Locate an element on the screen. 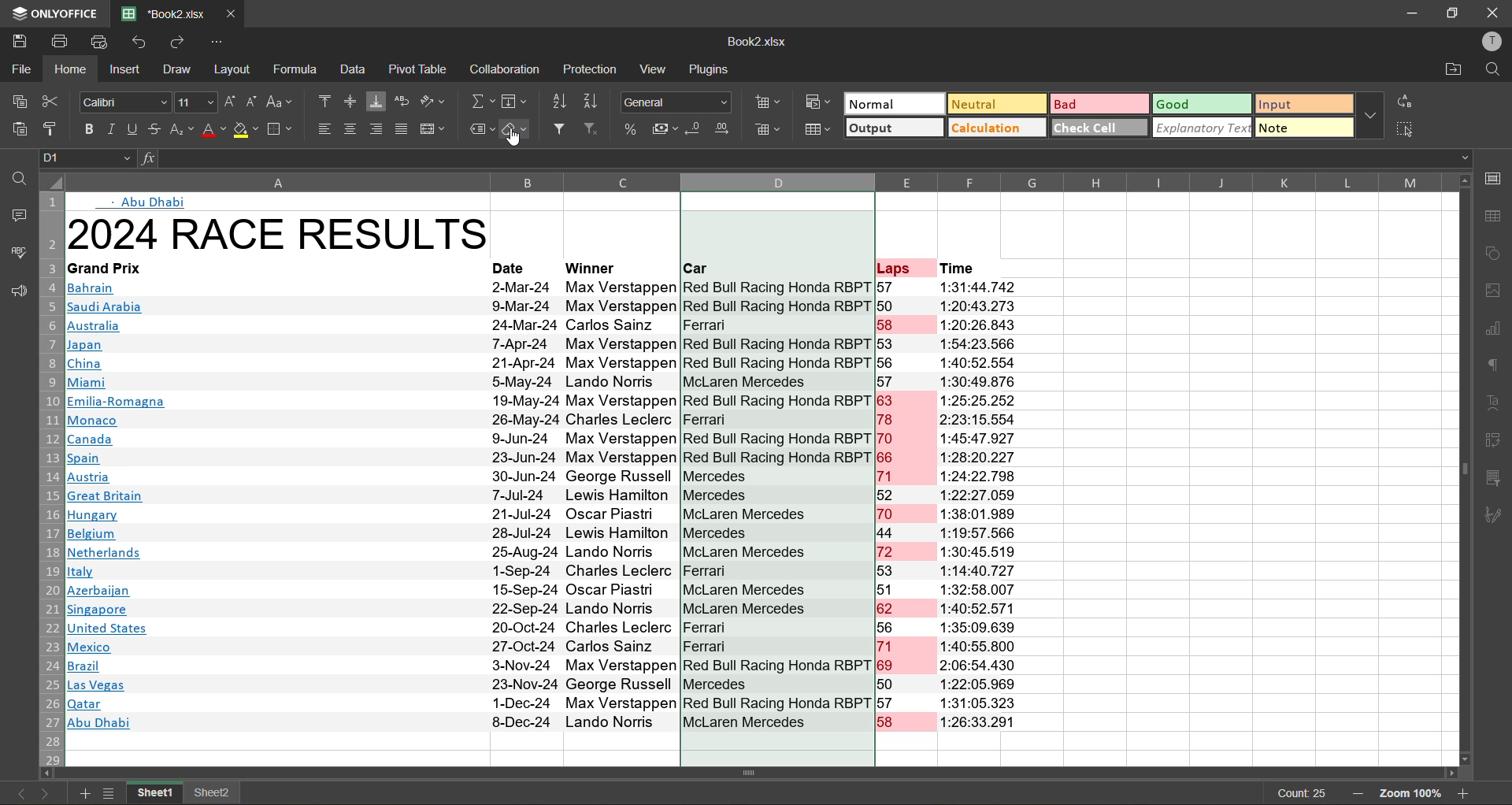 The width and height of the screenshot is (1512, 805). note is located at coordinates (1304, 128).